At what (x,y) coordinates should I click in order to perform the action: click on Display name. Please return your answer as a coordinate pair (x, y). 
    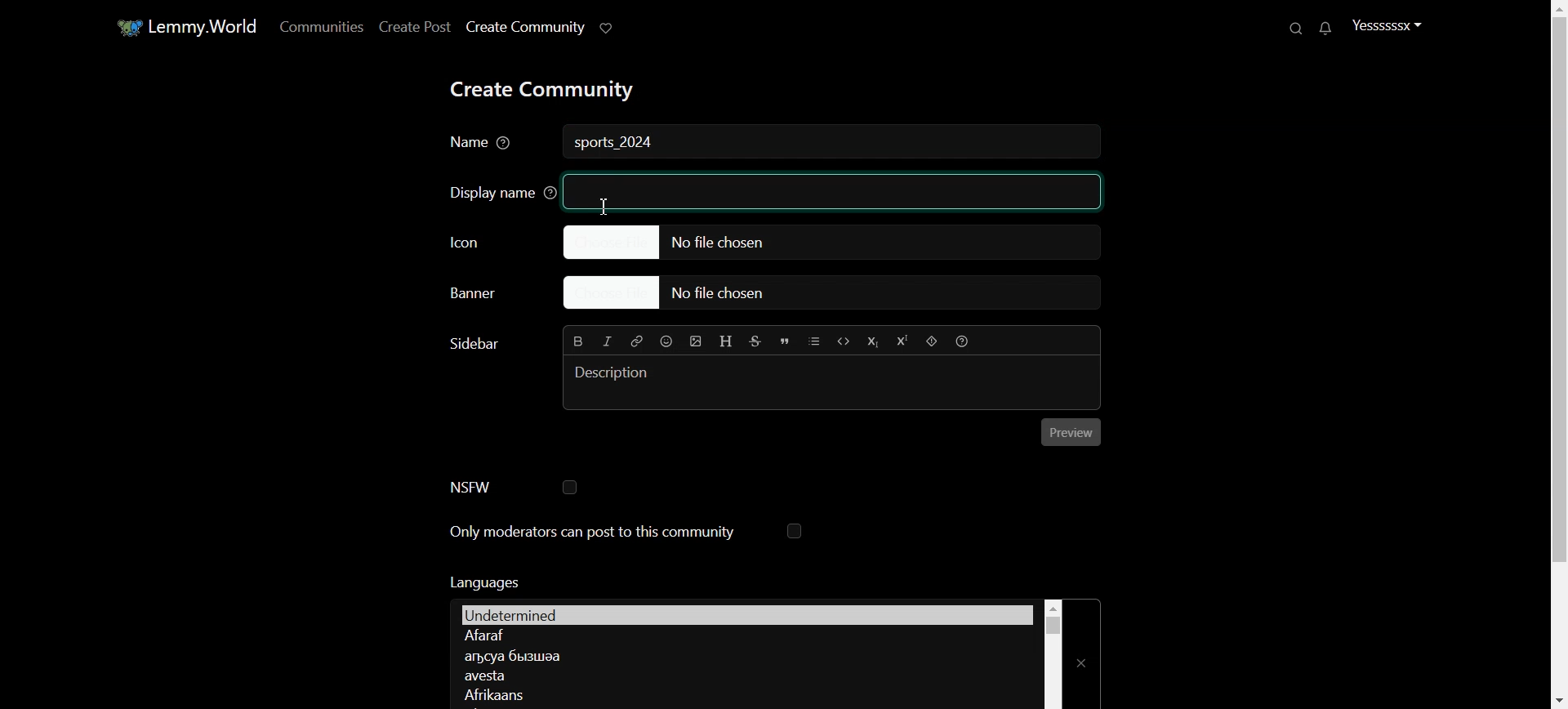
    Looking at the image, I should click on (500, 190).